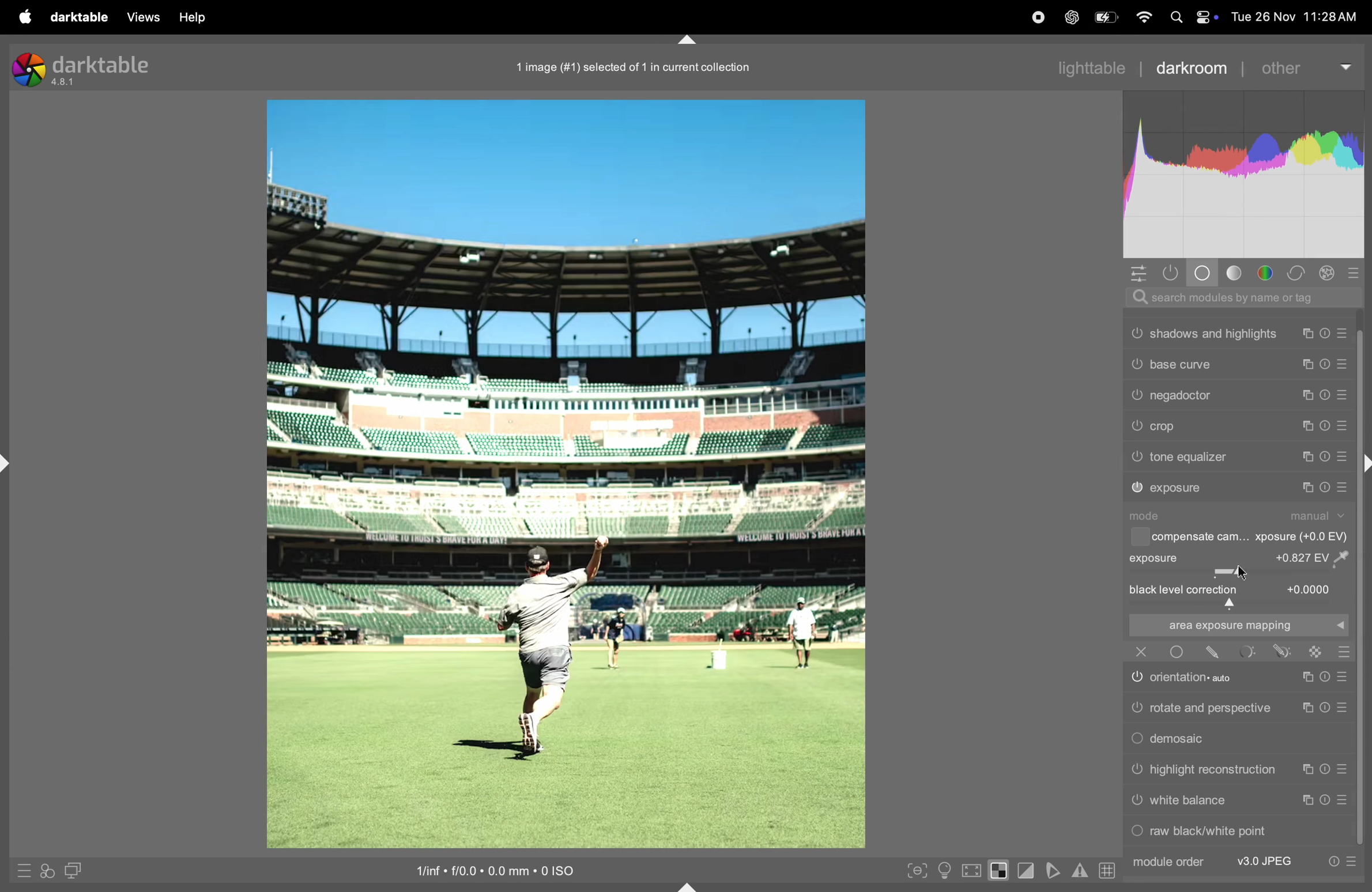 The image size is (1372, 892). Describe the element at coordinates (1175, 273) in the screenshot. I see `show only active modules` at that location.